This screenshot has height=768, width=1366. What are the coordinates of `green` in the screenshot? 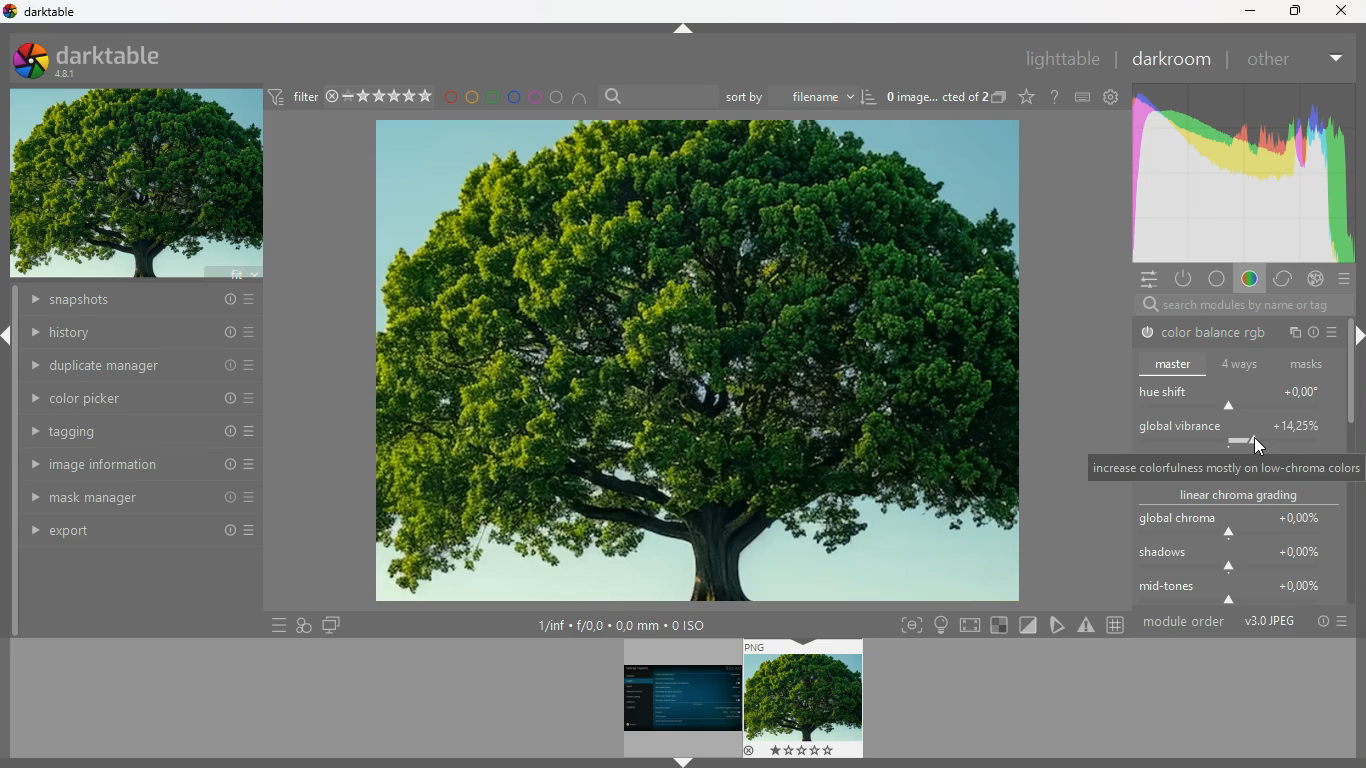 It's located at (493, 97).